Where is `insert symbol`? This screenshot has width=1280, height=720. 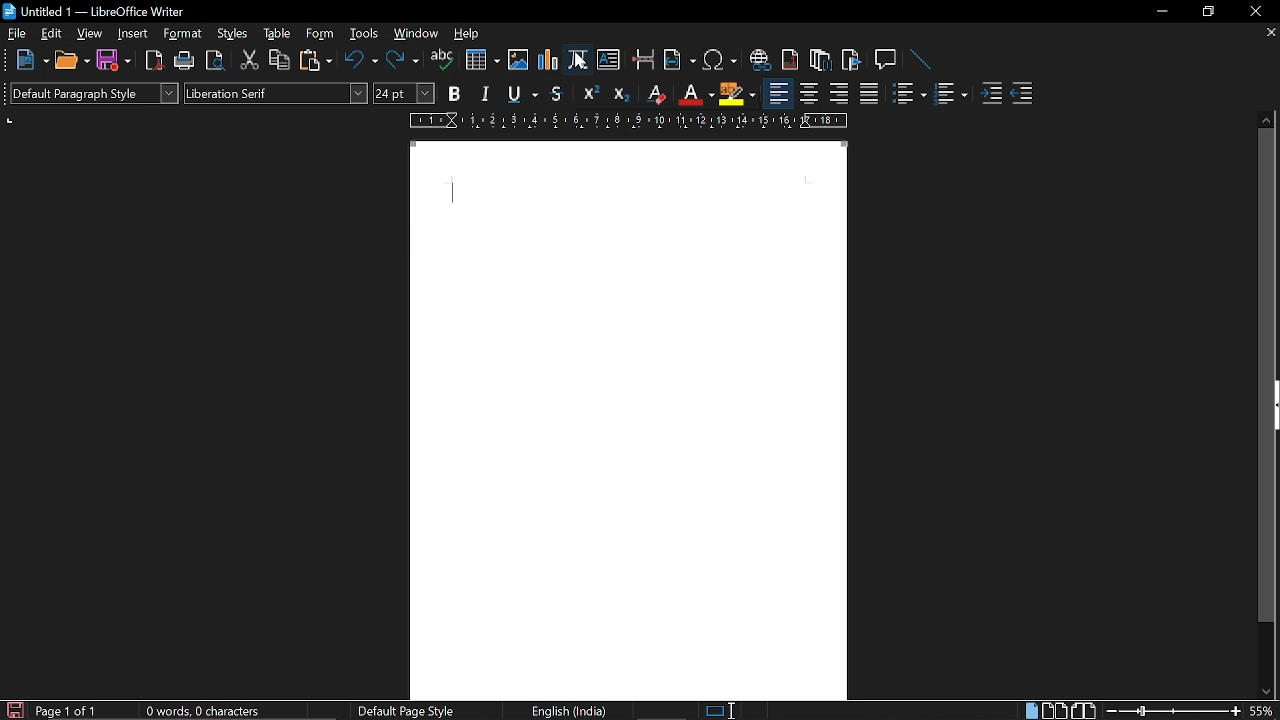
insert symbol is located at coordinates (720, 60).